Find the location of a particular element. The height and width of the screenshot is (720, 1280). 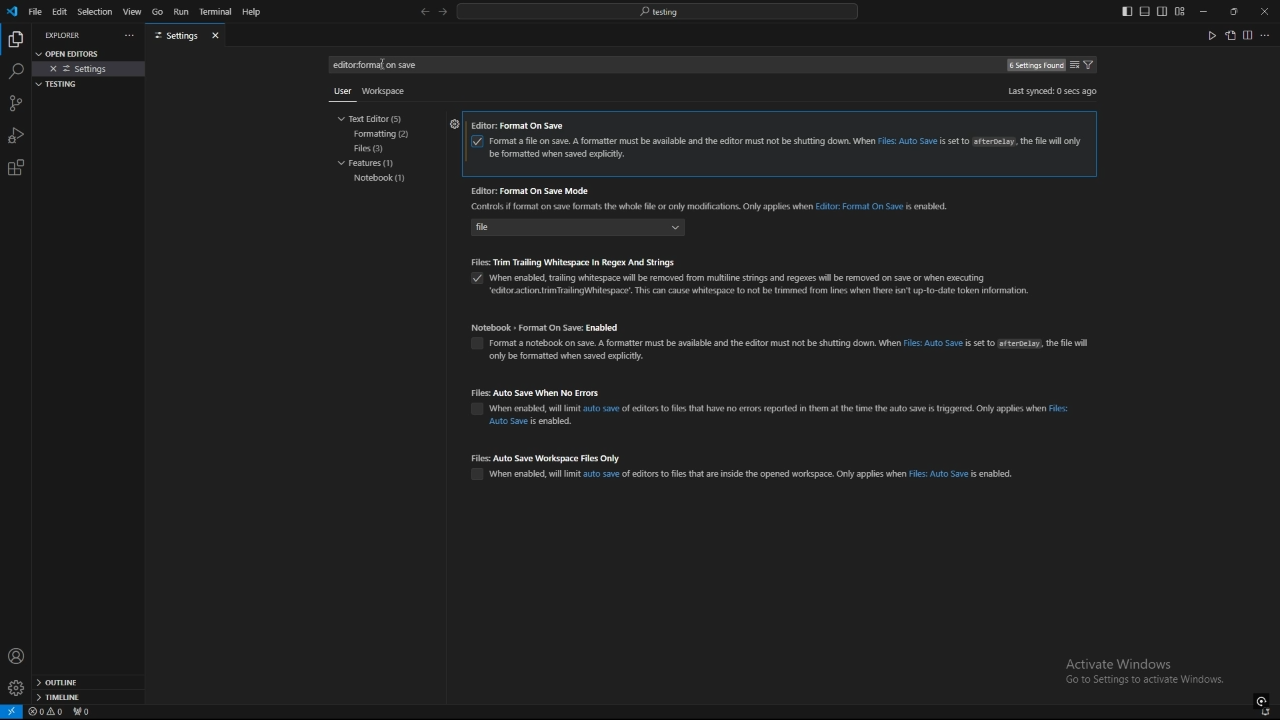

format file on save explanations is located at coordinates (787, 149).